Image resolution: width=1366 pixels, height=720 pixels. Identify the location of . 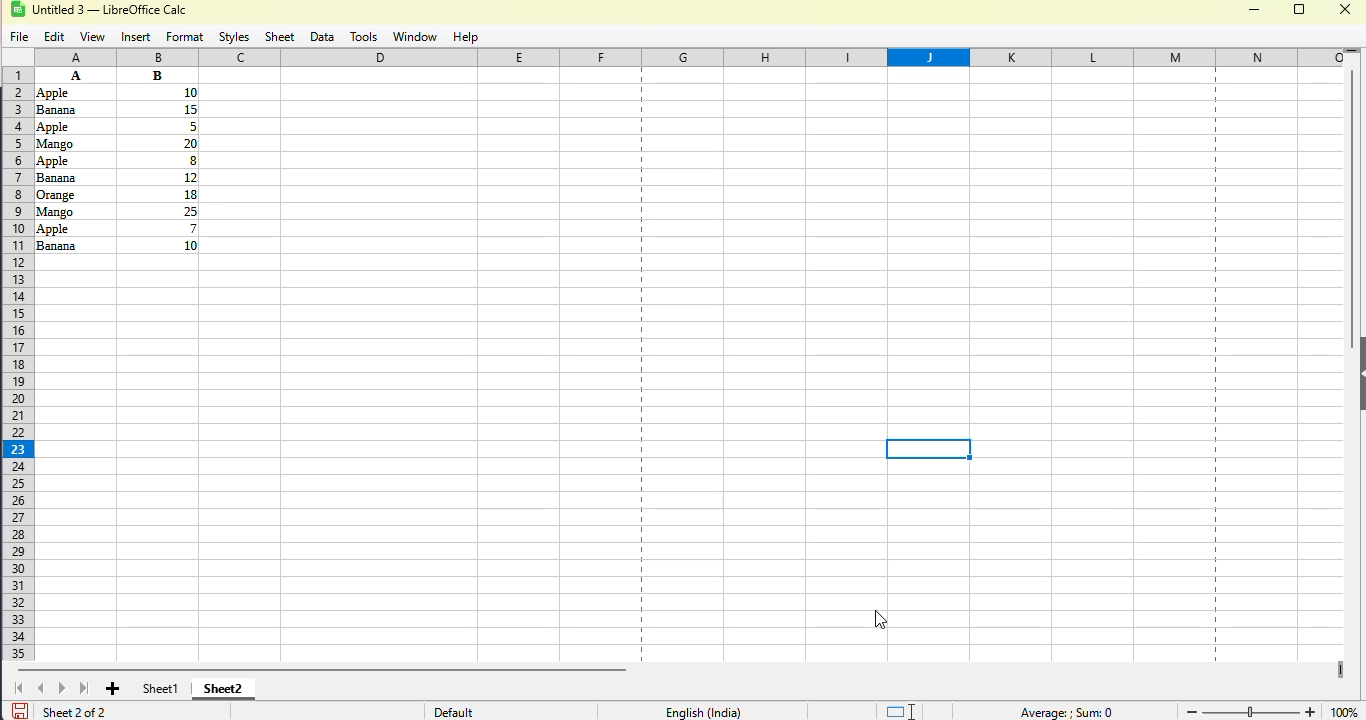
(157, 109).